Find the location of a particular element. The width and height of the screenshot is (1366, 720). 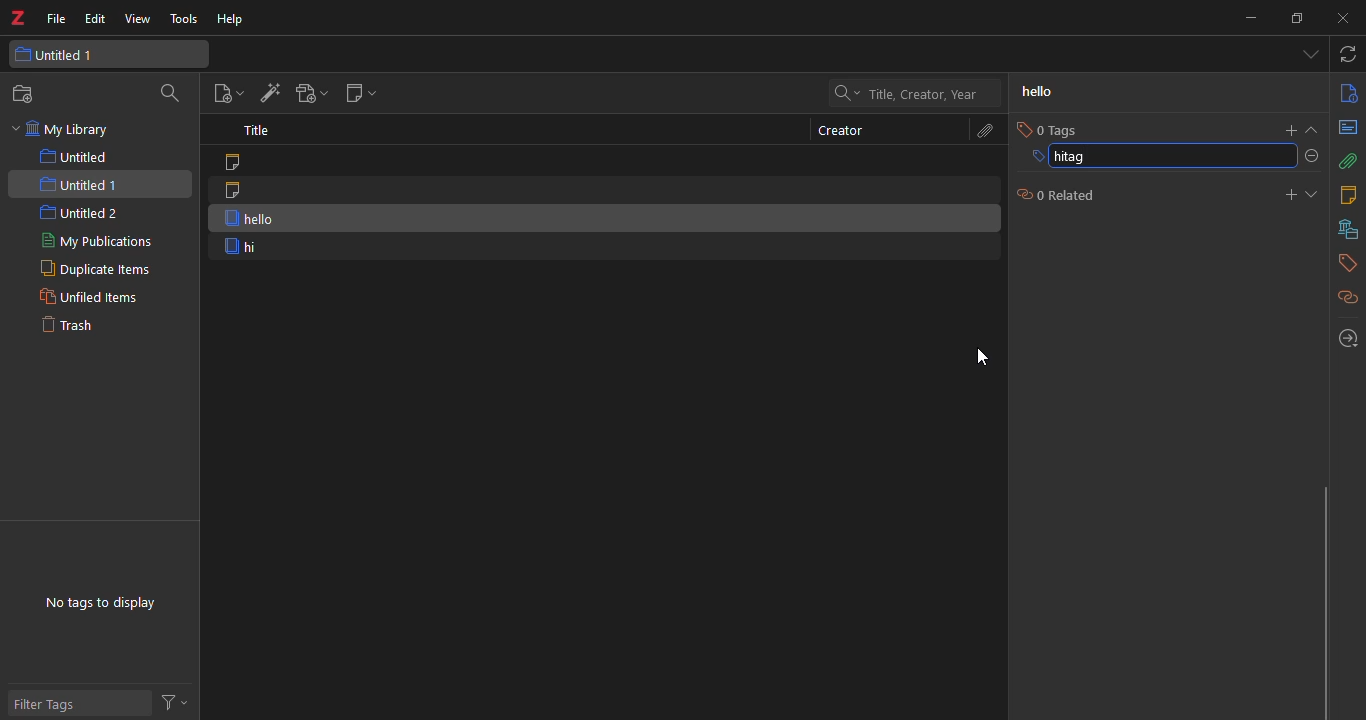

hello is located at coordinates (242, 218).